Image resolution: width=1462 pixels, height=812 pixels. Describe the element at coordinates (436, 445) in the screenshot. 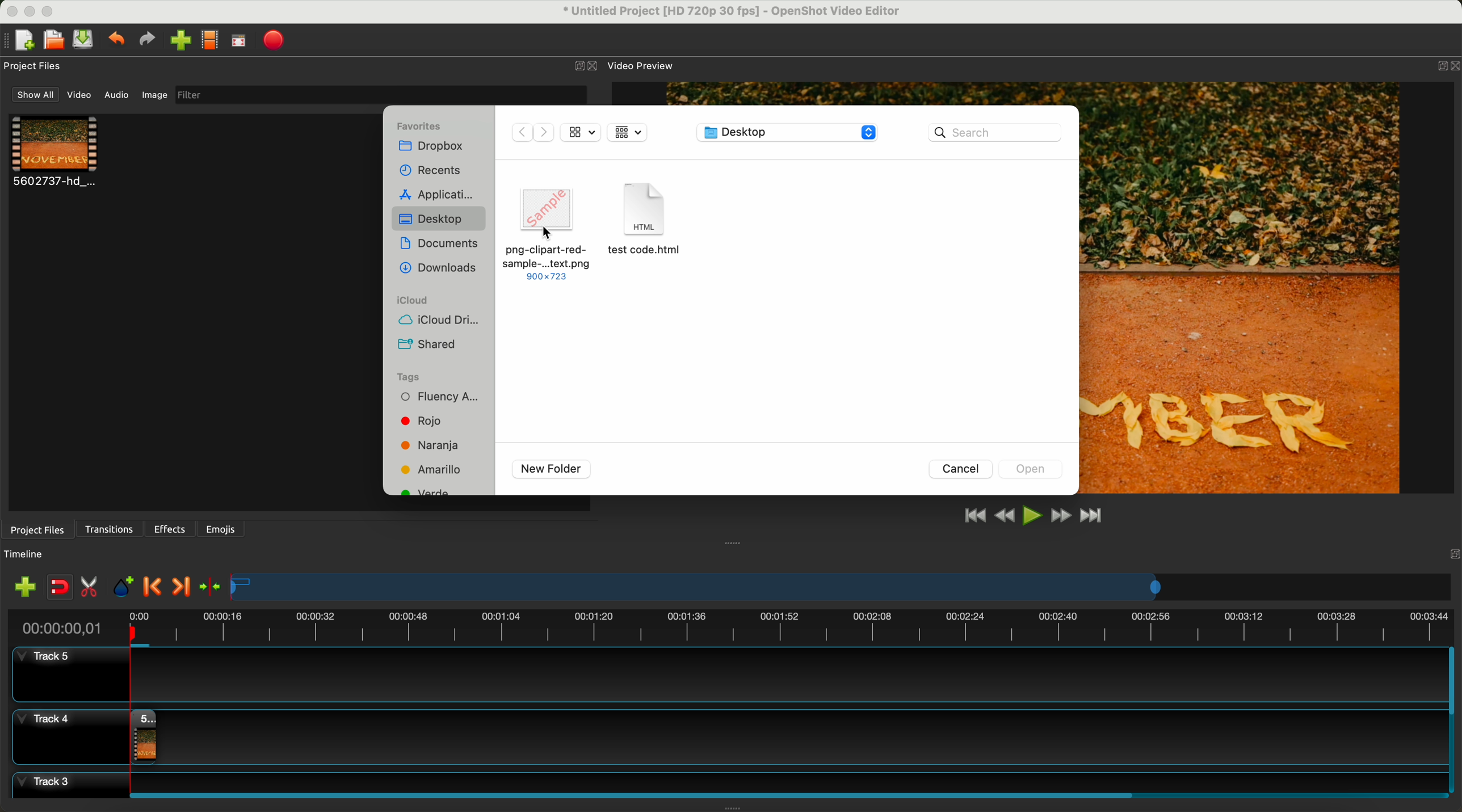

I see `Naranja` at that location.